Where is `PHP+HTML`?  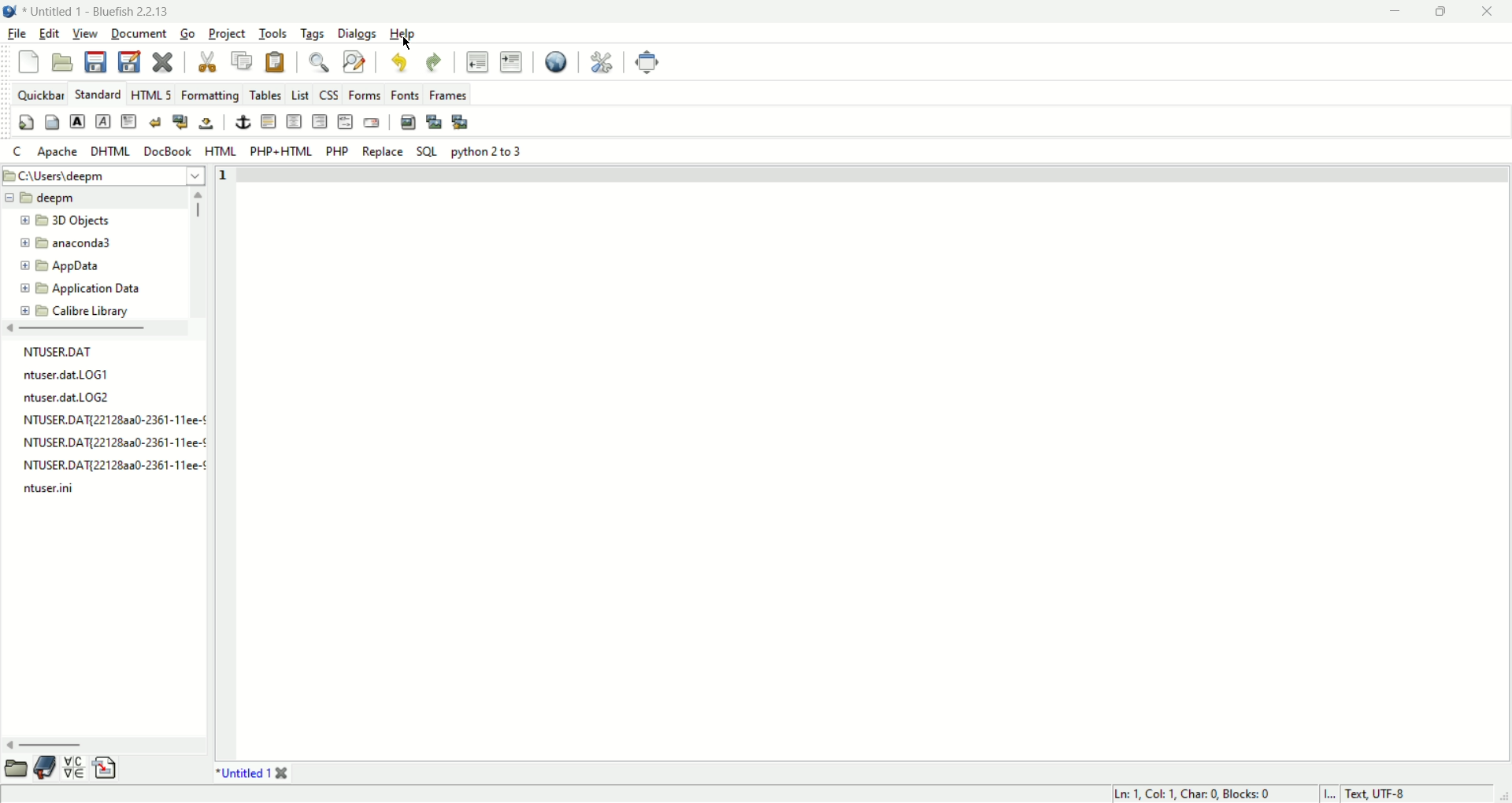 PHP+HTML is located at coordinates (280, 151).